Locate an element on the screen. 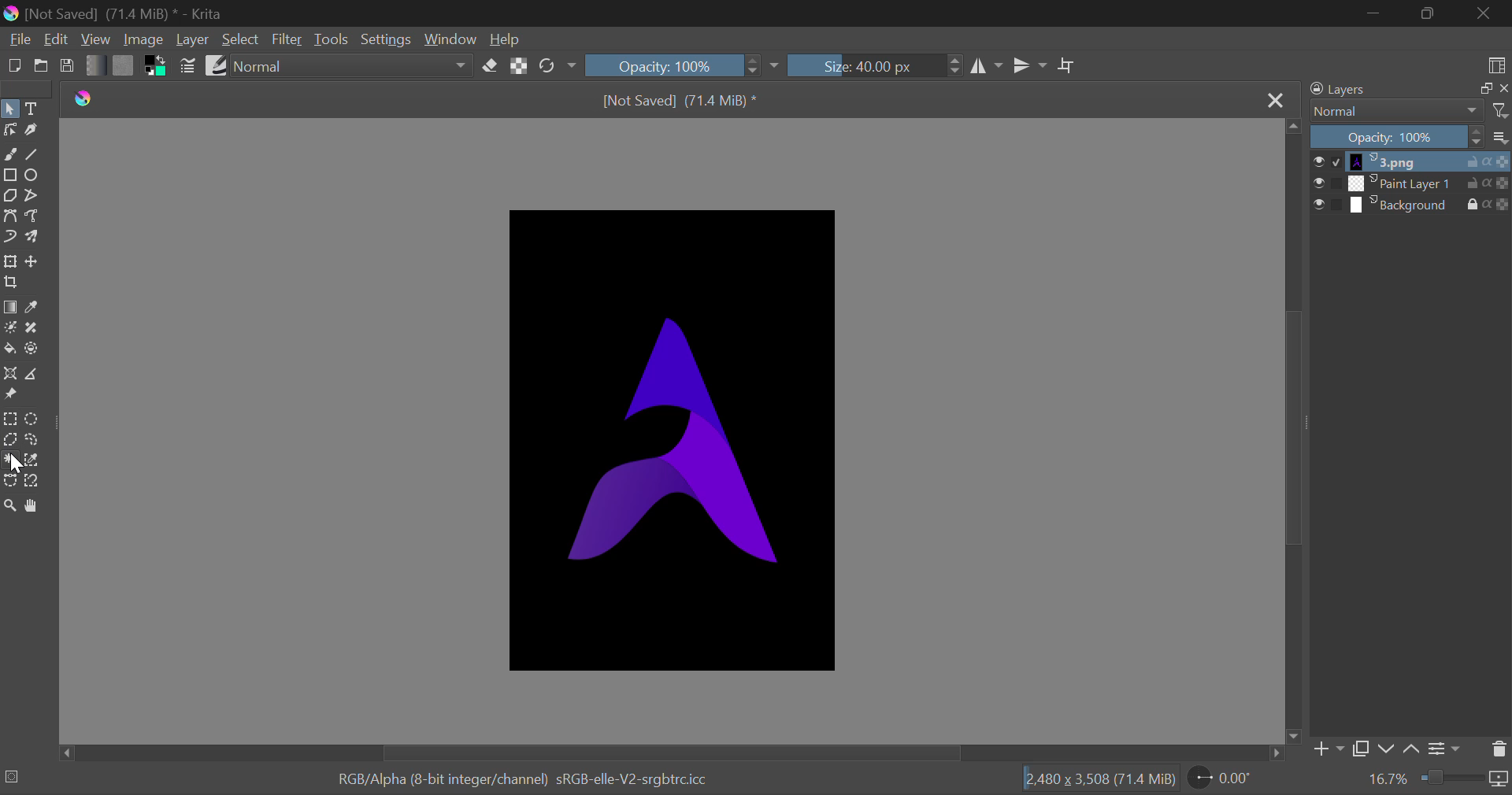  Transform Layers is located at coordinates (10, 264).